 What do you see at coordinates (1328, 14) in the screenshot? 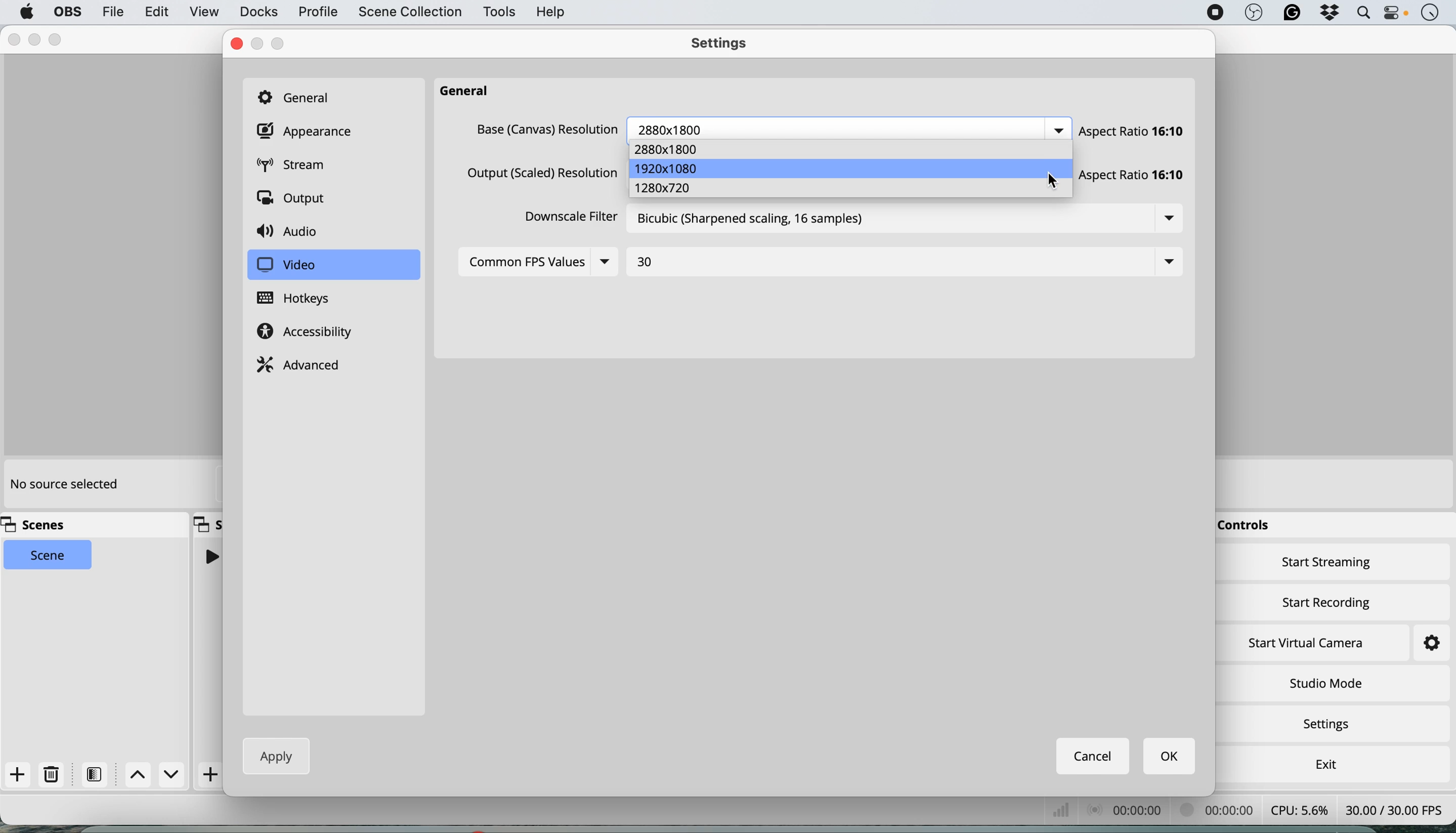
I see `dropbox` at bounding box center [1328, 14].